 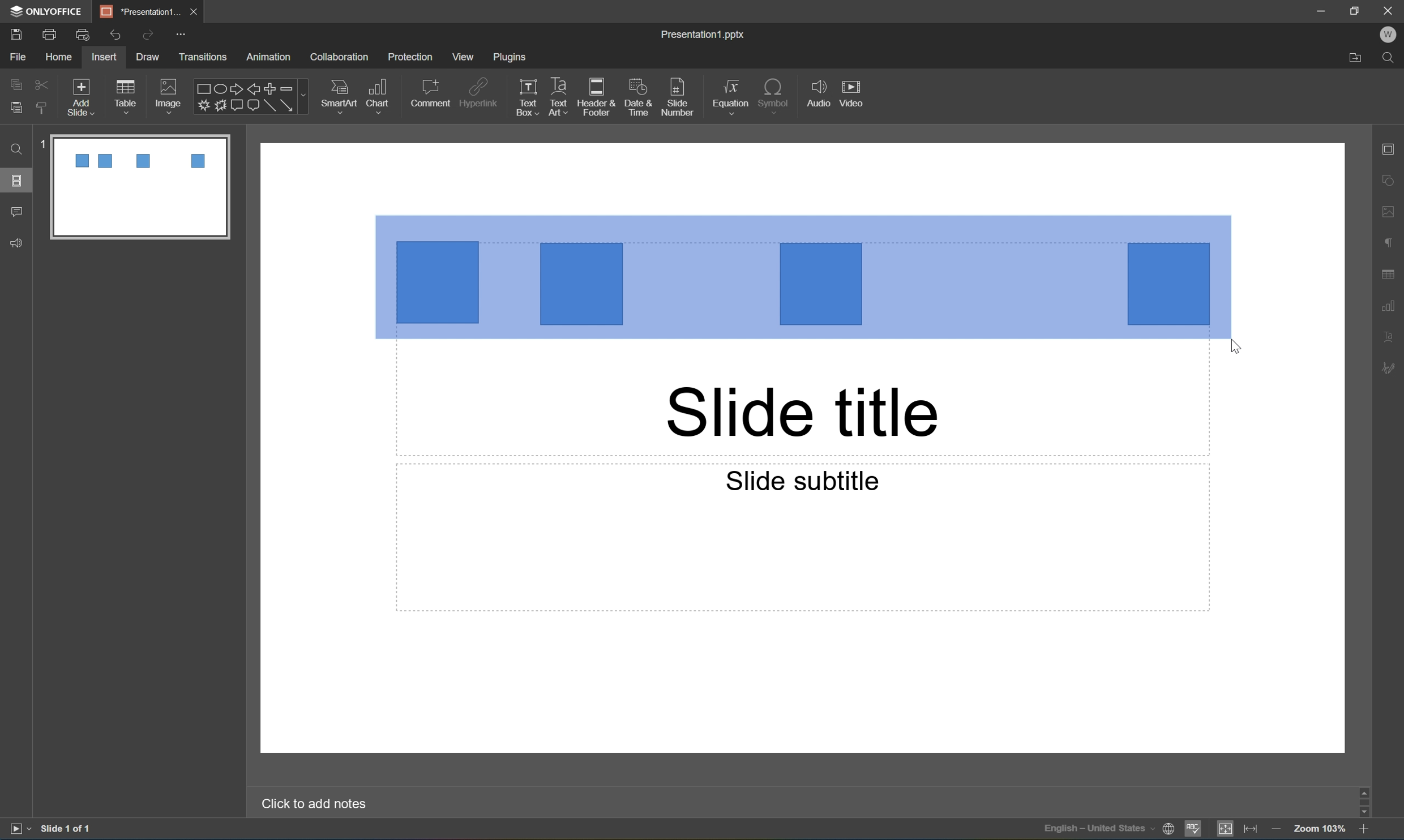 I want to click on ONLYOFFICE, so click(x=48, y=10).